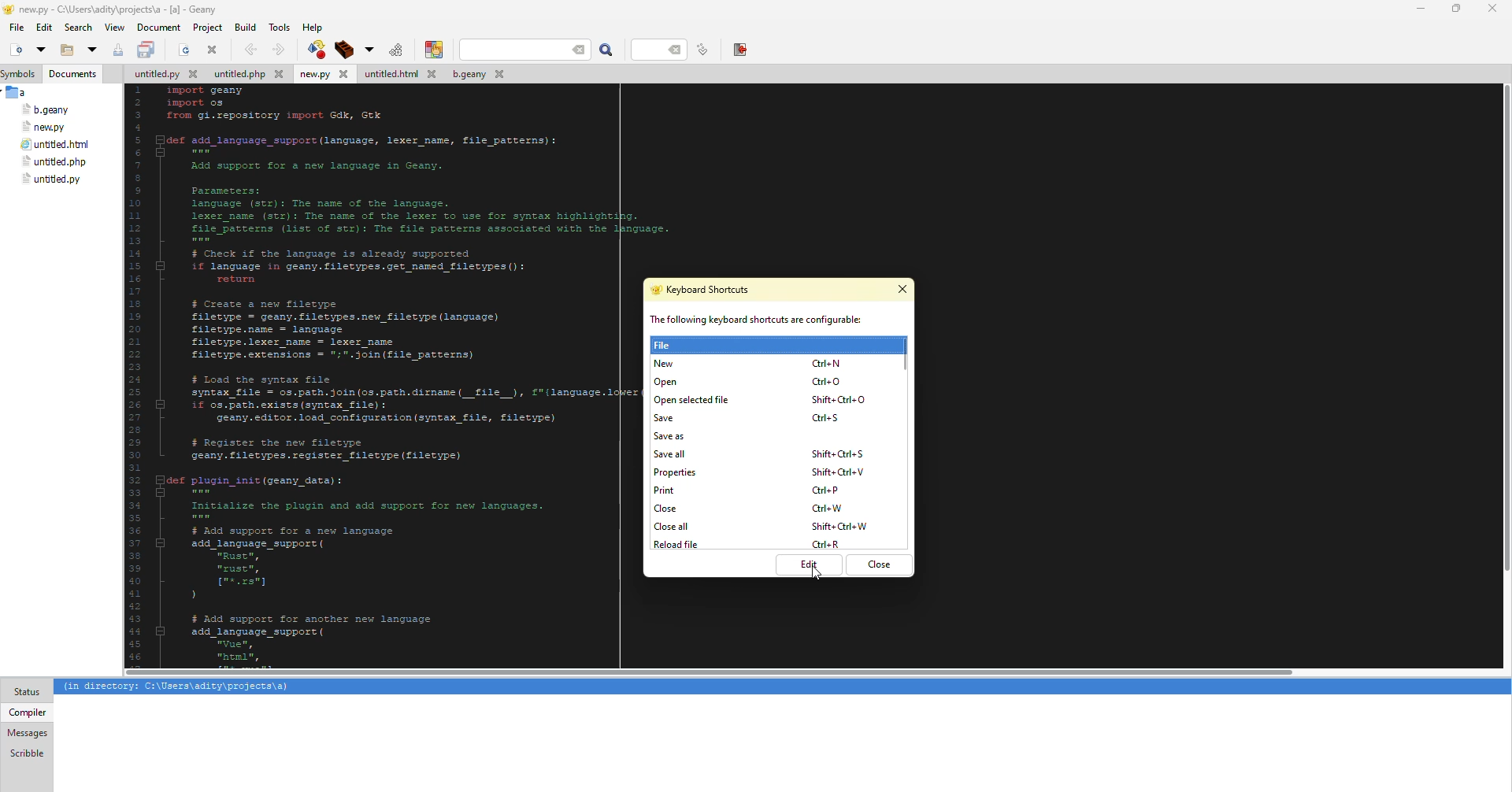 The height and width of the screenshot is (792, 1512). Describe the element at coordinates (276, 50) in the screenshot. I see `forward` at that location.